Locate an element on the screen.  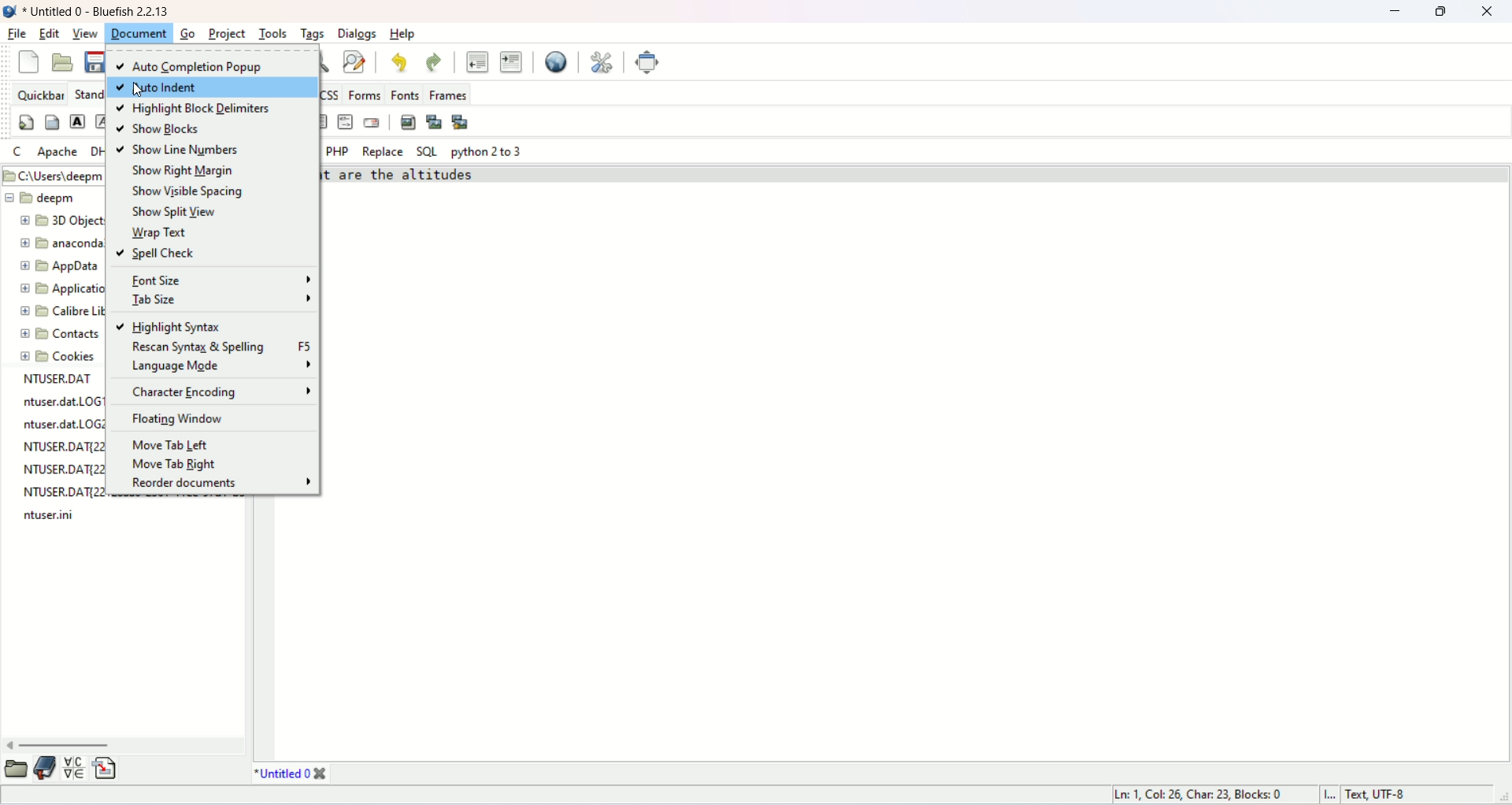
insert file is located at coordinates (107, 767).